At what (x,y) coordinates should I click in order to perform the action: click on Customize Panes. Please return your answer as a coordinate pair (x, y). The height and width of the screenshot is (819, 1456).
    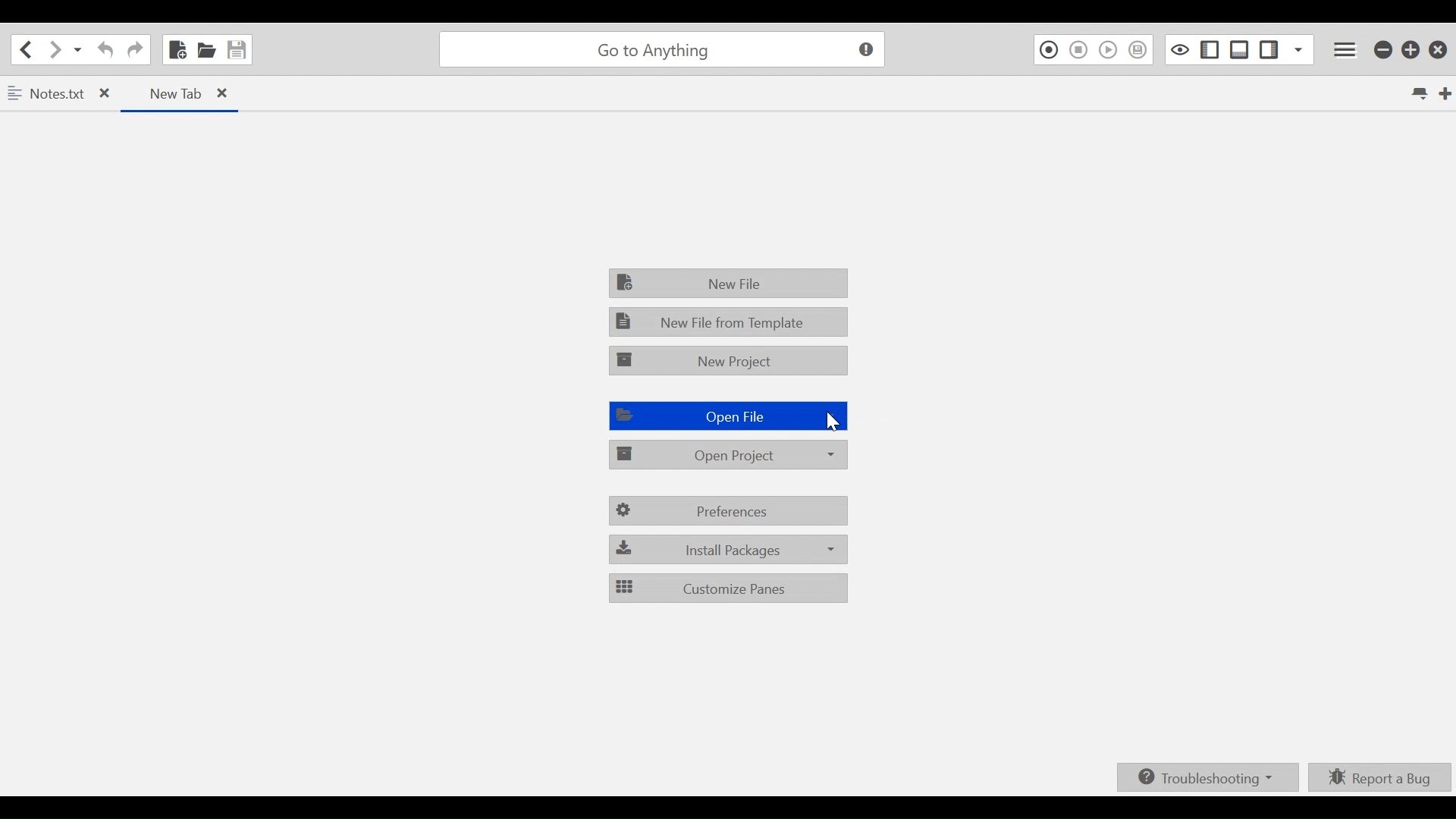
    Looking at the image, I should click on (729, 587).